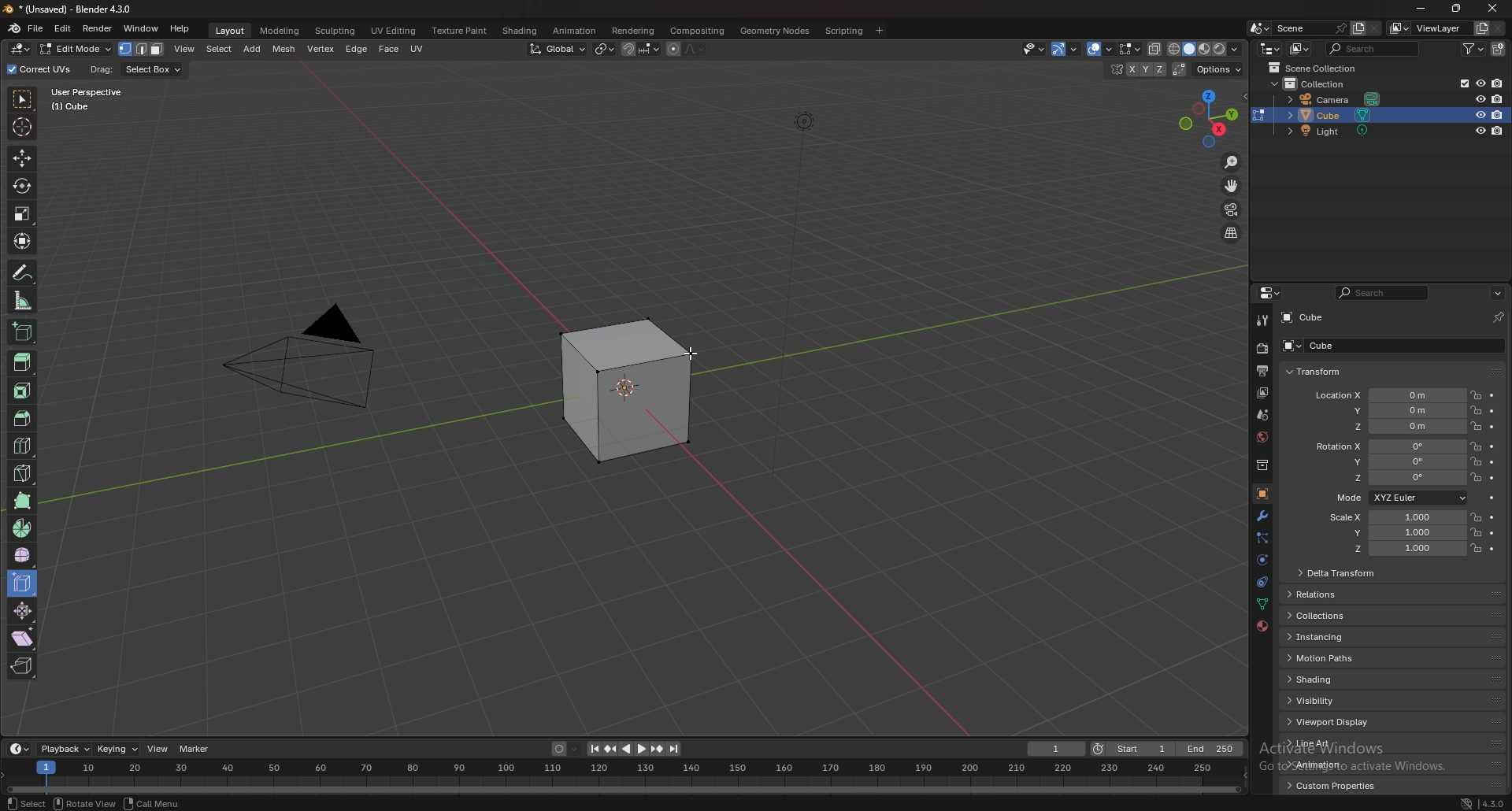  Describe the element at coordinates (1205, 50) in the screenshot. I see `viewport shading` at that location.